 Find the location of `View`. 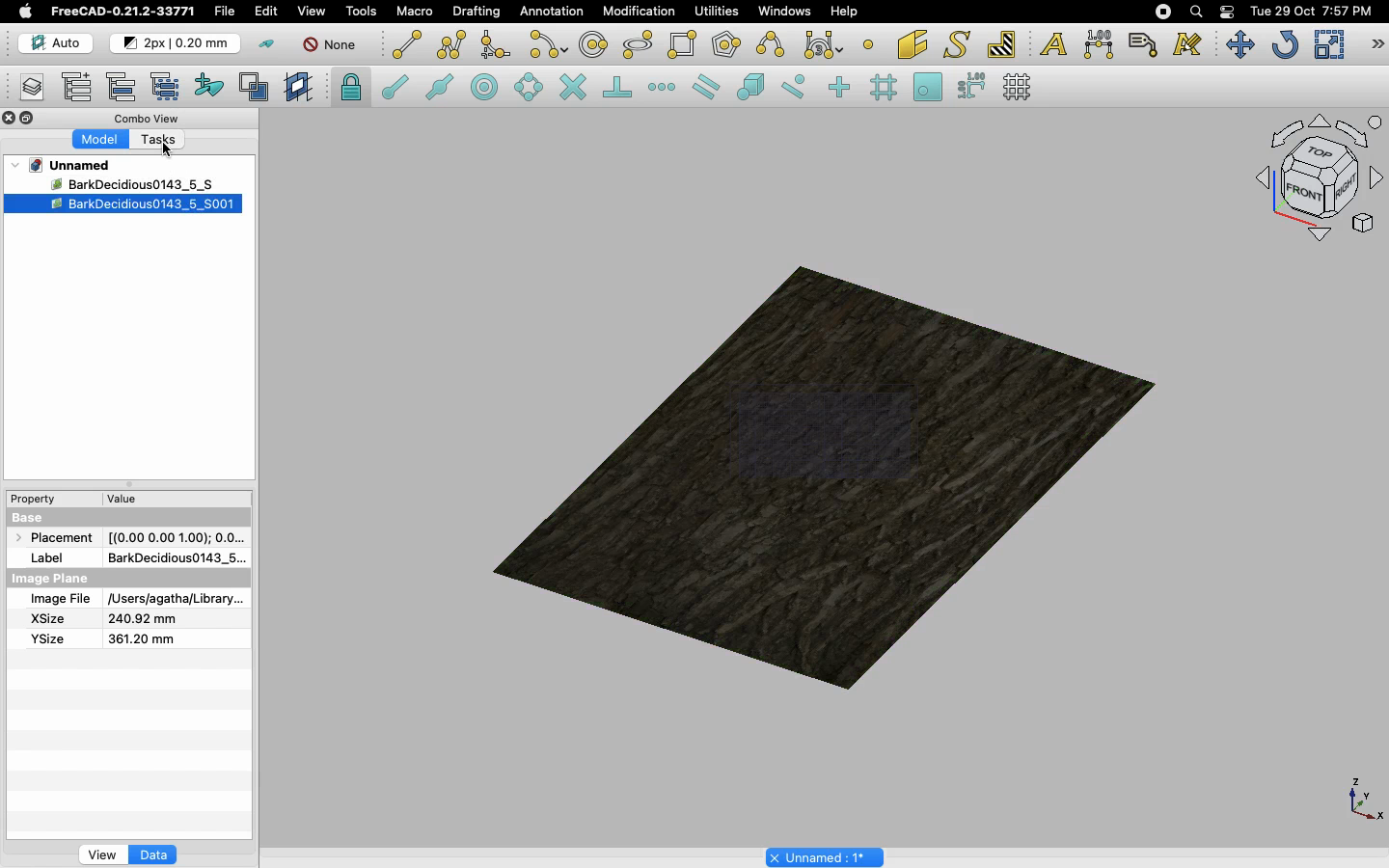

View is located at coordinates (102, 854).